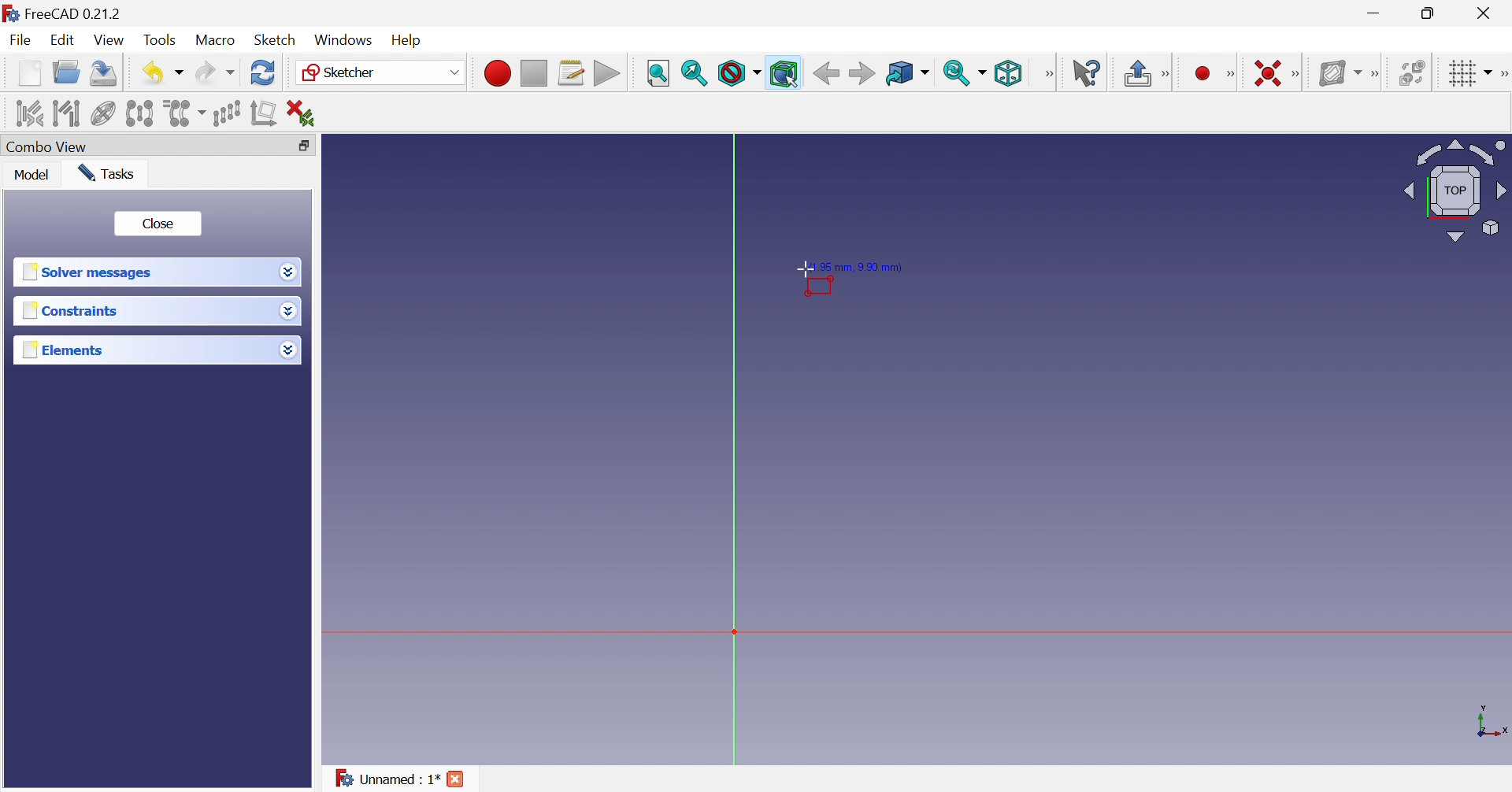  I want to click on Redo, so click(213, 72).